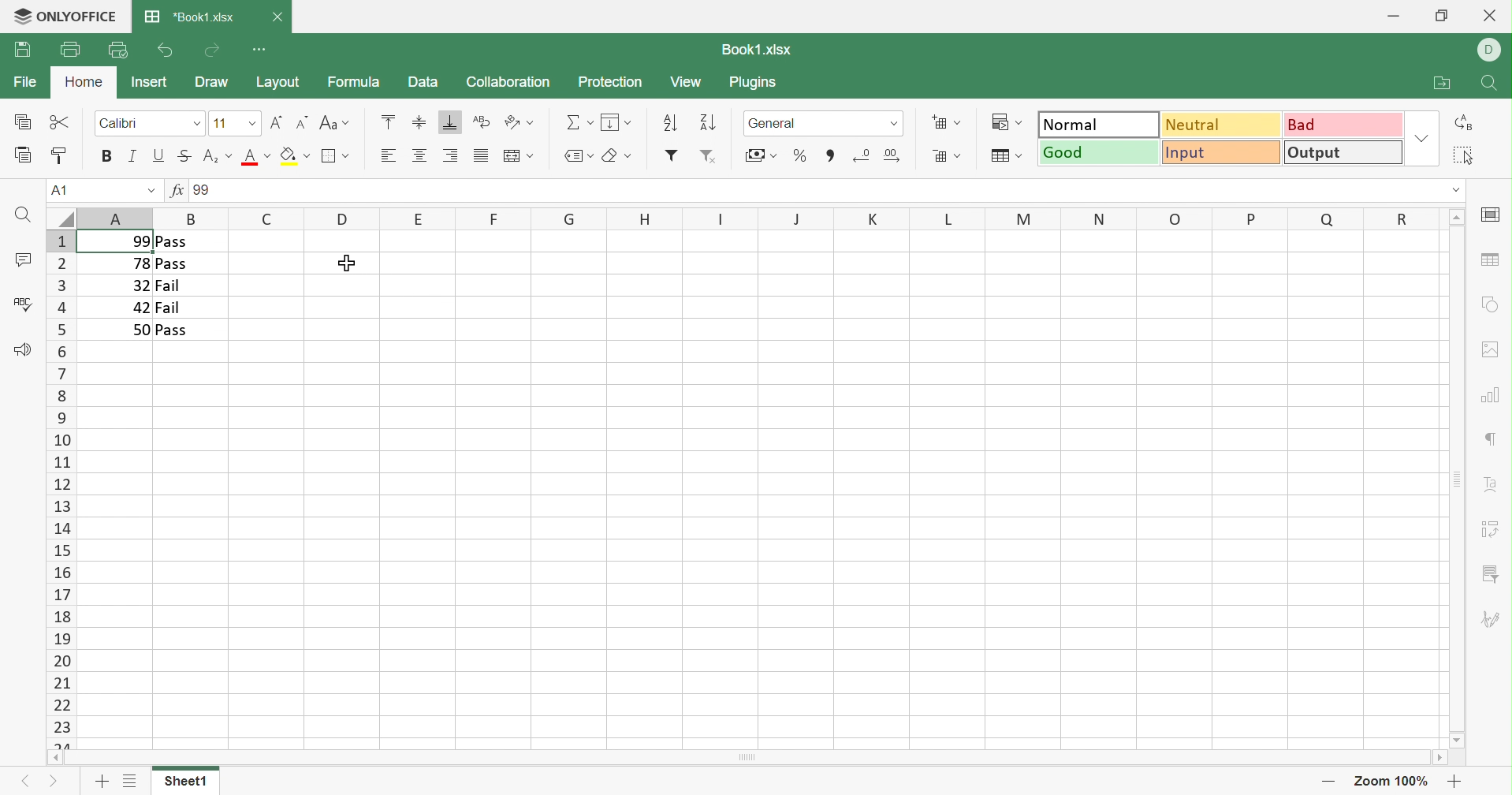 This screenshot has height=795, width=1512. What do you see at coordinates (686, 82) in the screenshot?
I see `View` at bounding box center [686, 82].